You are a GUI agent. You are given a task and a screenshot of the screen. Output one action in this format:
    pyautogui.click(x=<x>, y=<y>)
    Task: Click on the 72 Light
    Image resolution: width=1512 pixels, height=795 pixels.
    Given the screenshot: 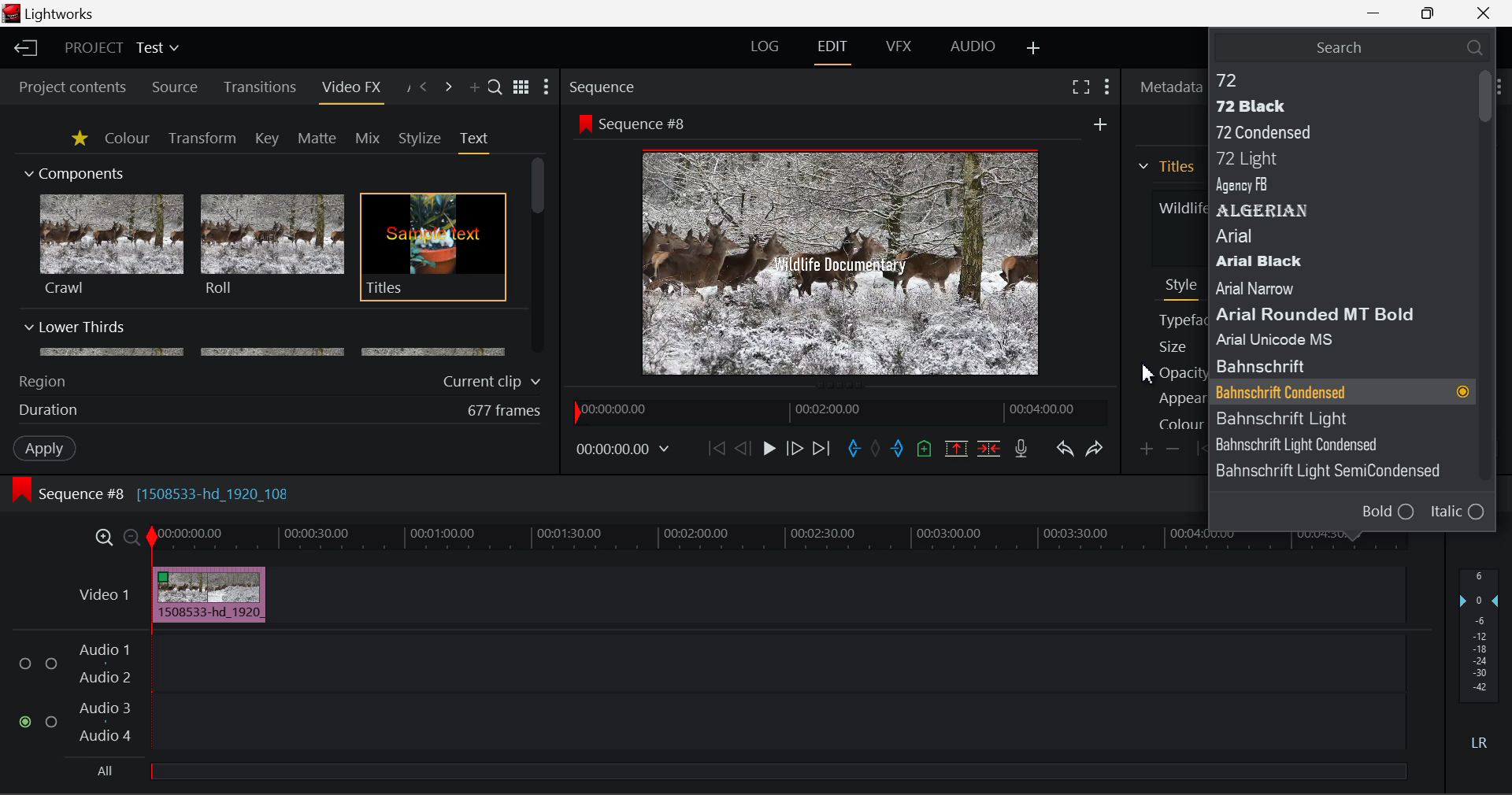 What is the action you would take?
    pyautogui.click(x=1326, y=160)
    